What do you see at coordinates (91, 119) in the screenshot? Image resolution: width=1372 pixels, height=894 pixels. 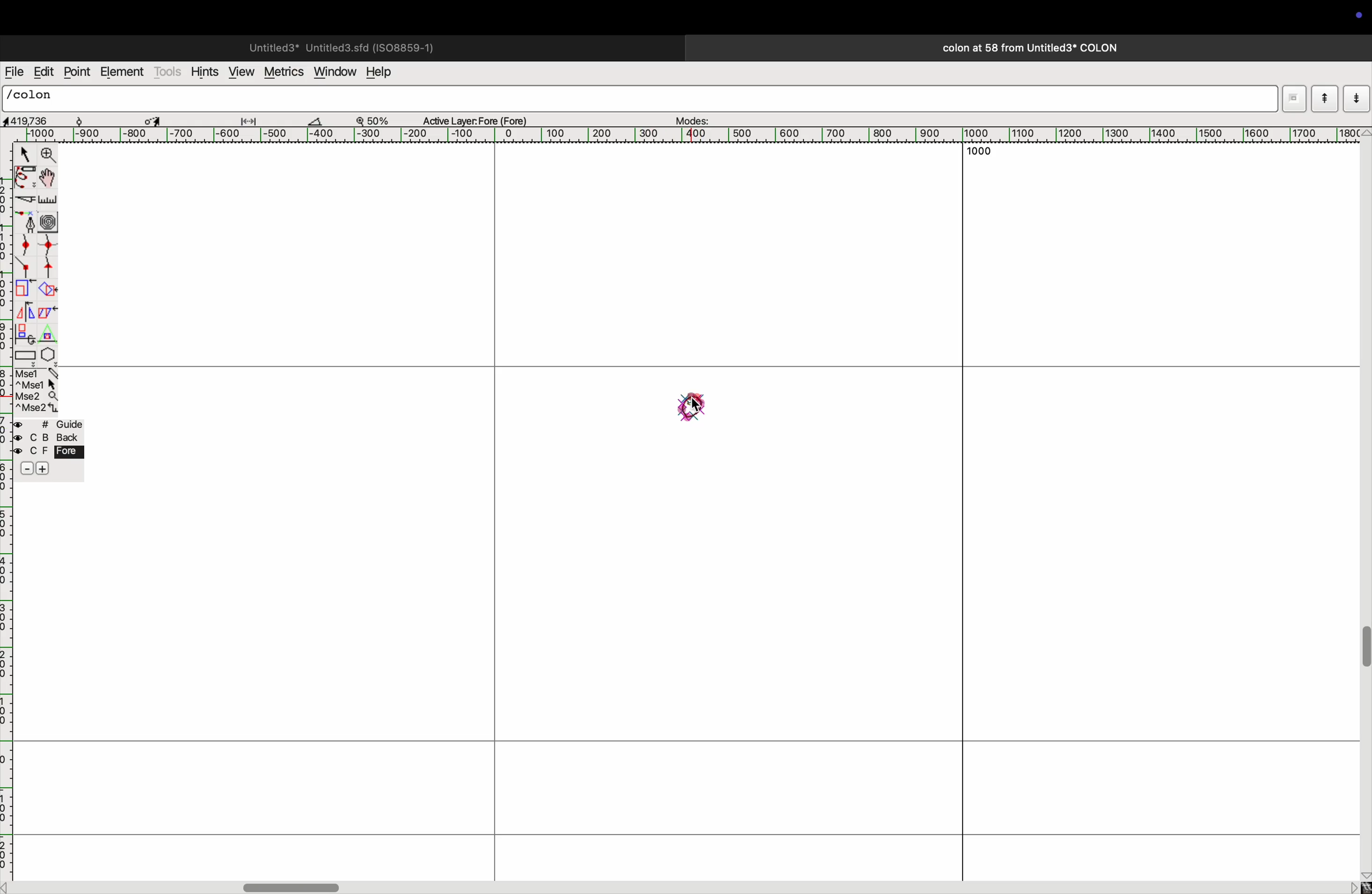 I see `snow` at bounding box center [91, 119].